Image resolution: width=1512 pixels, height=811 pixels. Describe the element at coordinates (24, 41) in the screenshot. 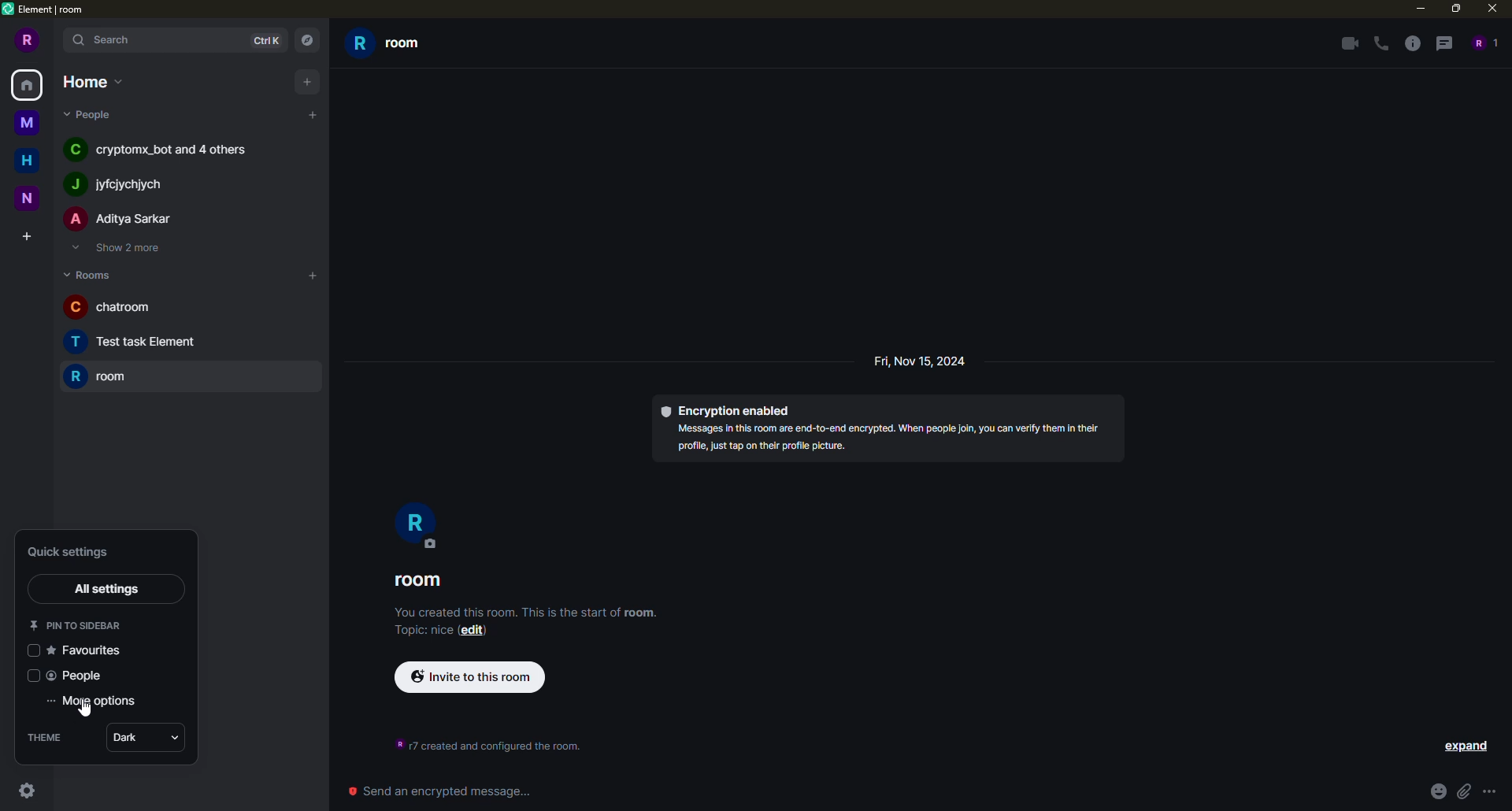

I see `r` at that location.